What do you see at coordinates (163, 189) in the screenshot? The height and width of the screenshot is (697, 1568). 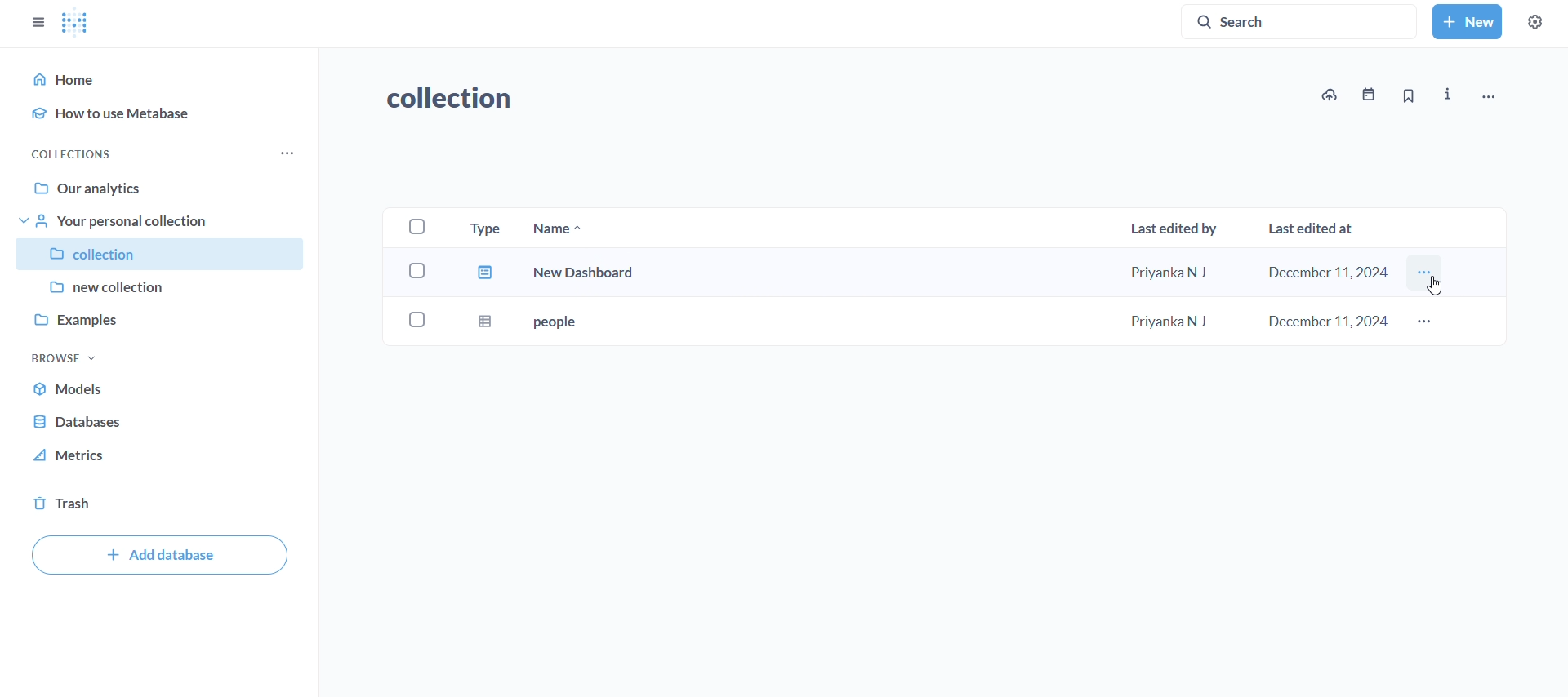 I see `our analytics` at bounding box center [163, 189].